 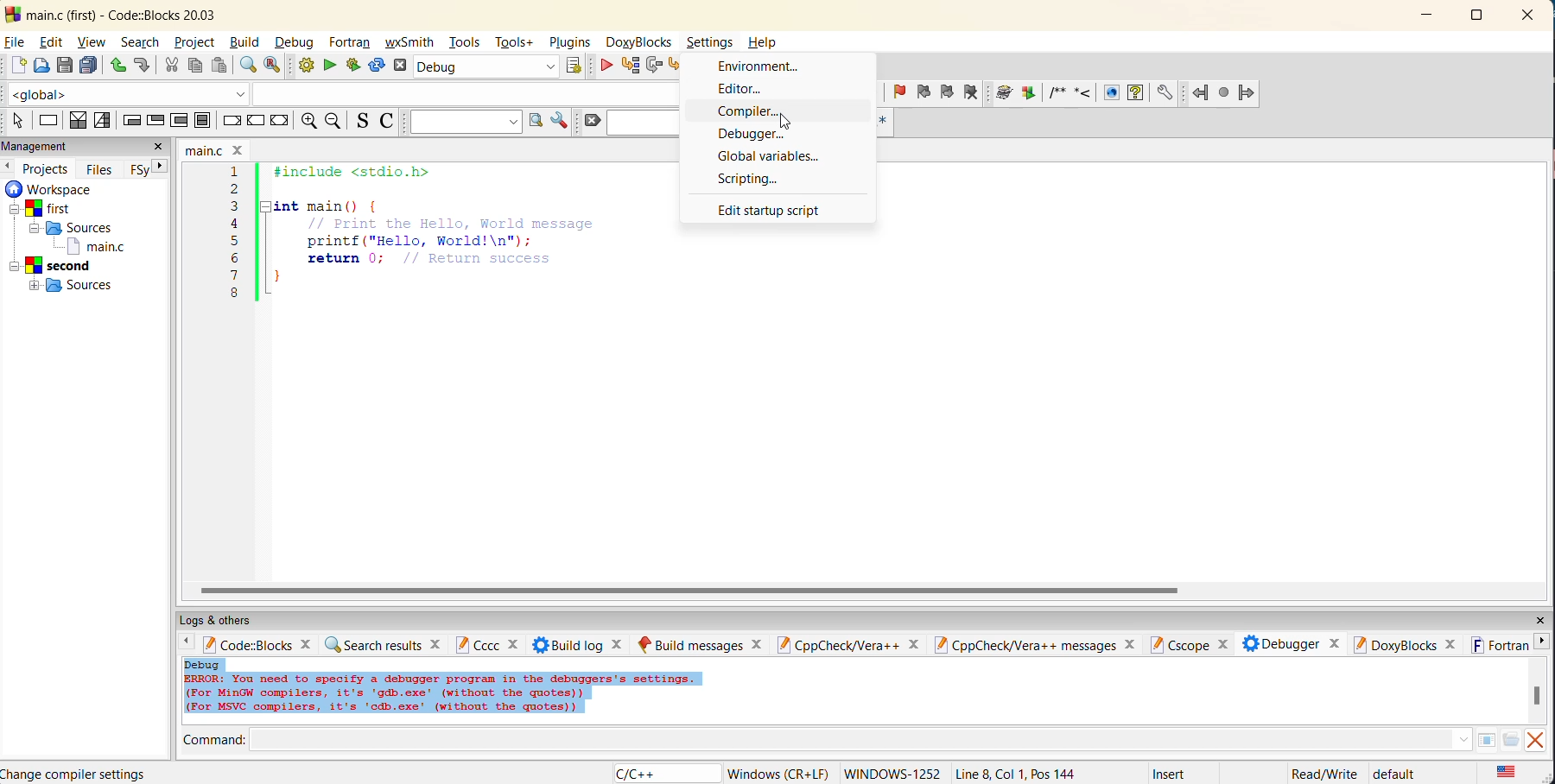 I want to click on global variables, so click(x=771, y=158).